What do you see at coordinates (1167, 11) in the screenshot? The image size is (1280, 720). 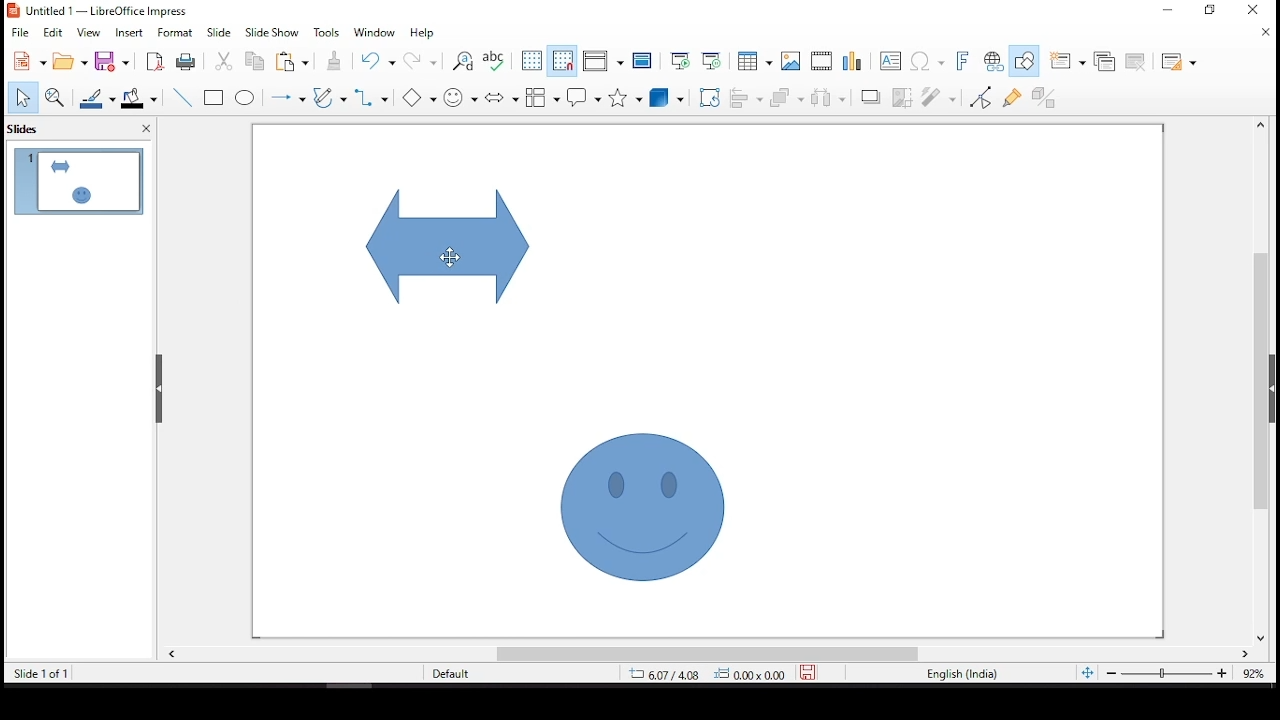 I see `restore` at bounding box center [1167, 11].